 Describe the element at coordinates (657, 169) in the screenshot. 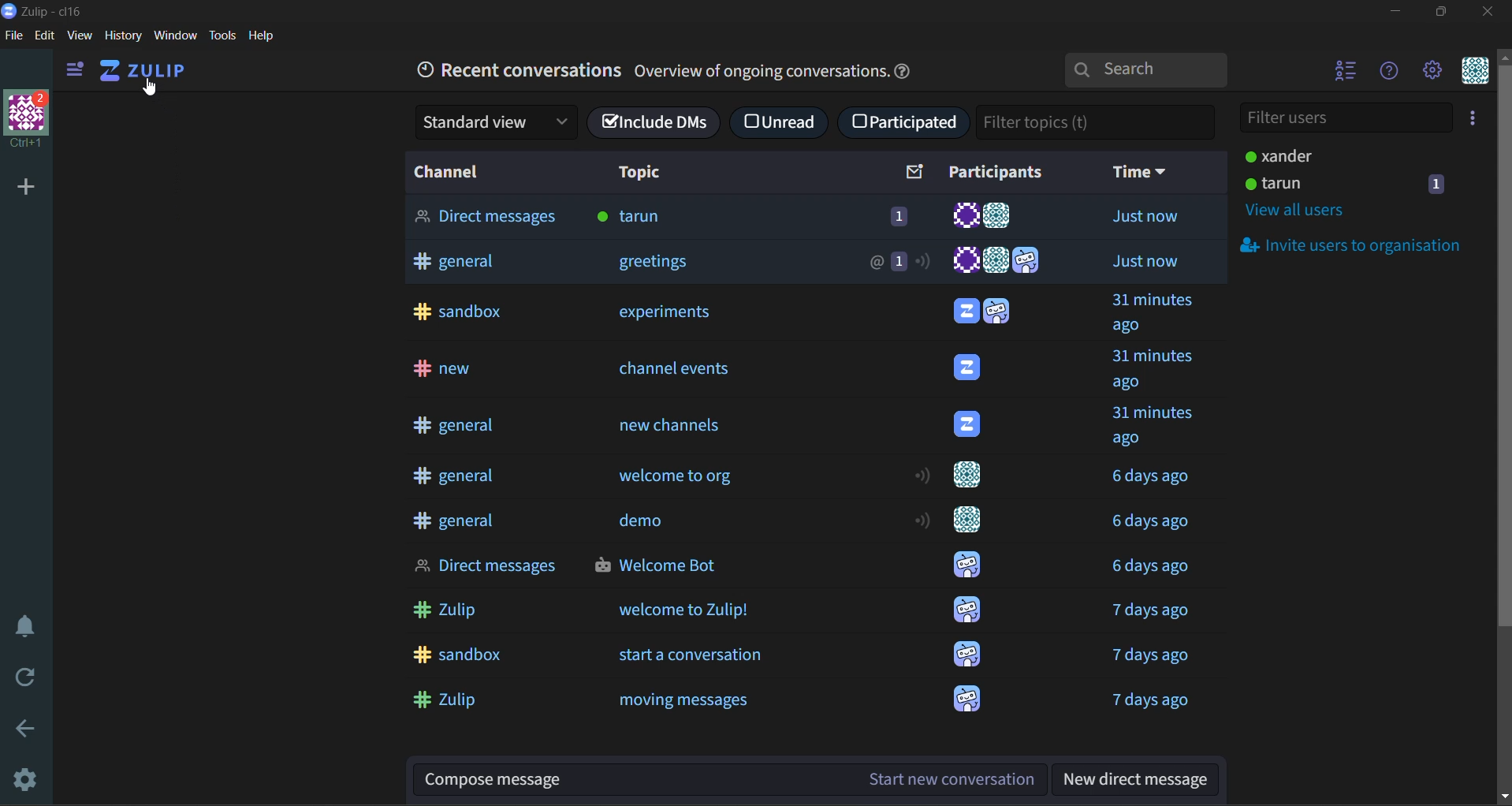

I see `topic` at that location.